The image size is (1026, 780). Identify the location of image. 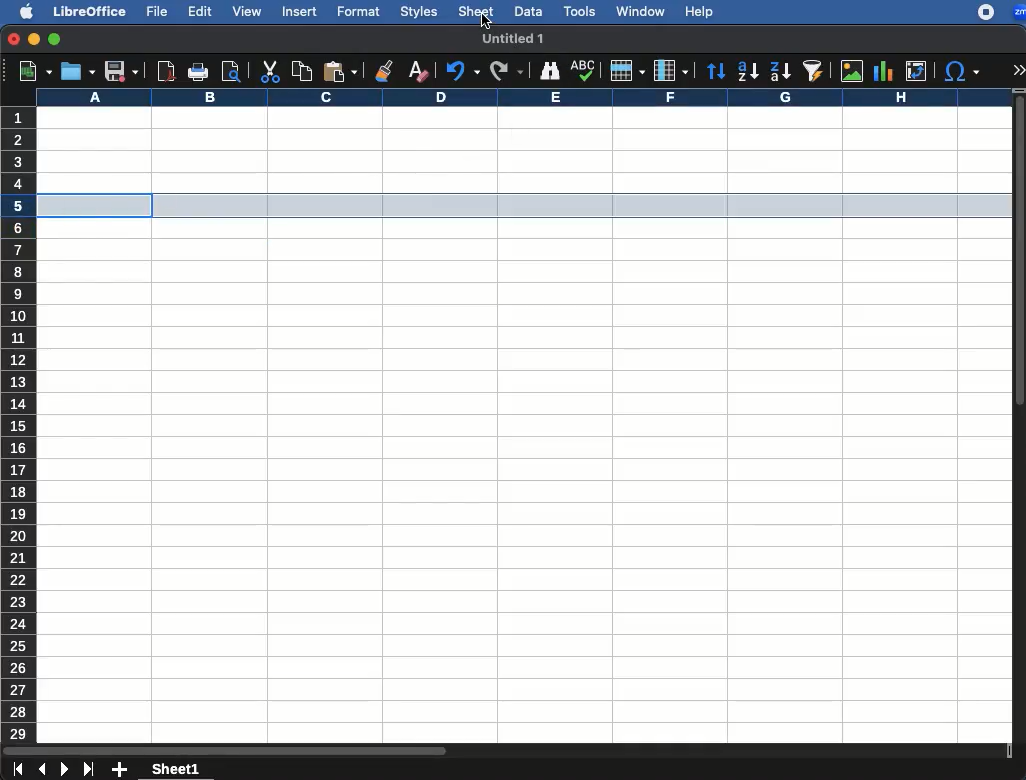
(852, 71).